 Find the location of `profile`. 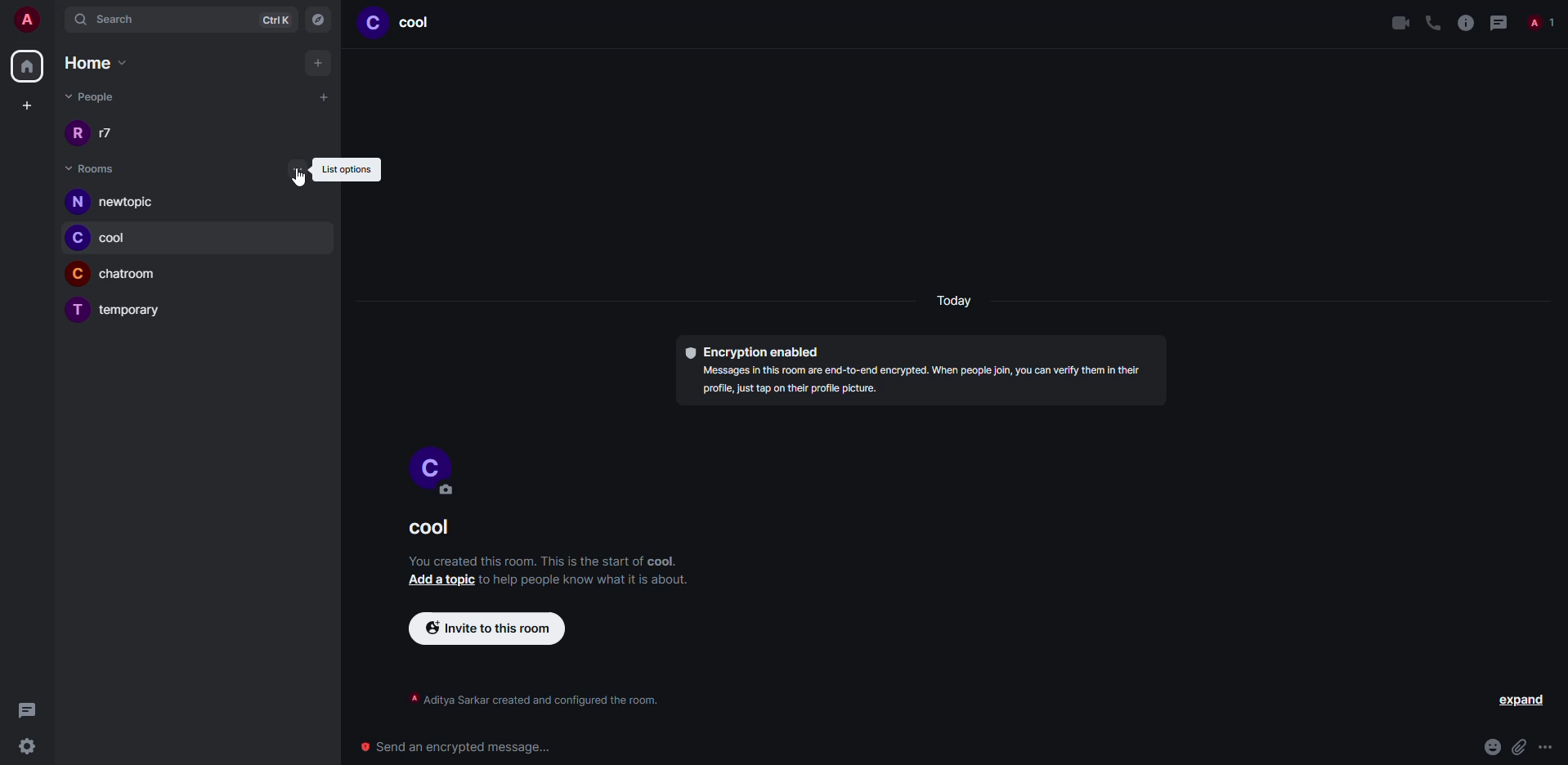

profile is located at coordinates (72, 238).